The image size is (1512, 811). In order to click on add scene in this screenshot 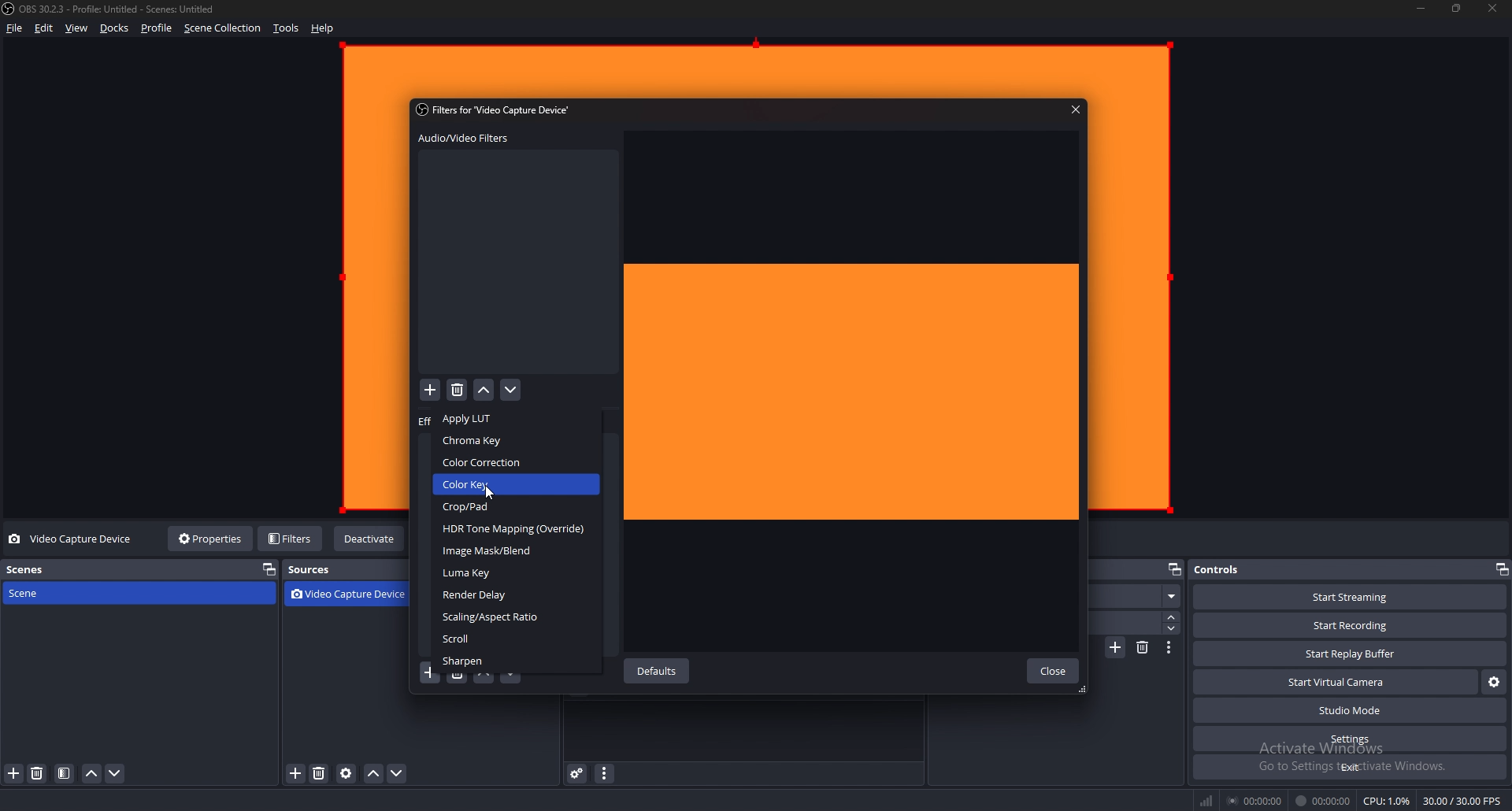, I will do `click(14, 774)`.